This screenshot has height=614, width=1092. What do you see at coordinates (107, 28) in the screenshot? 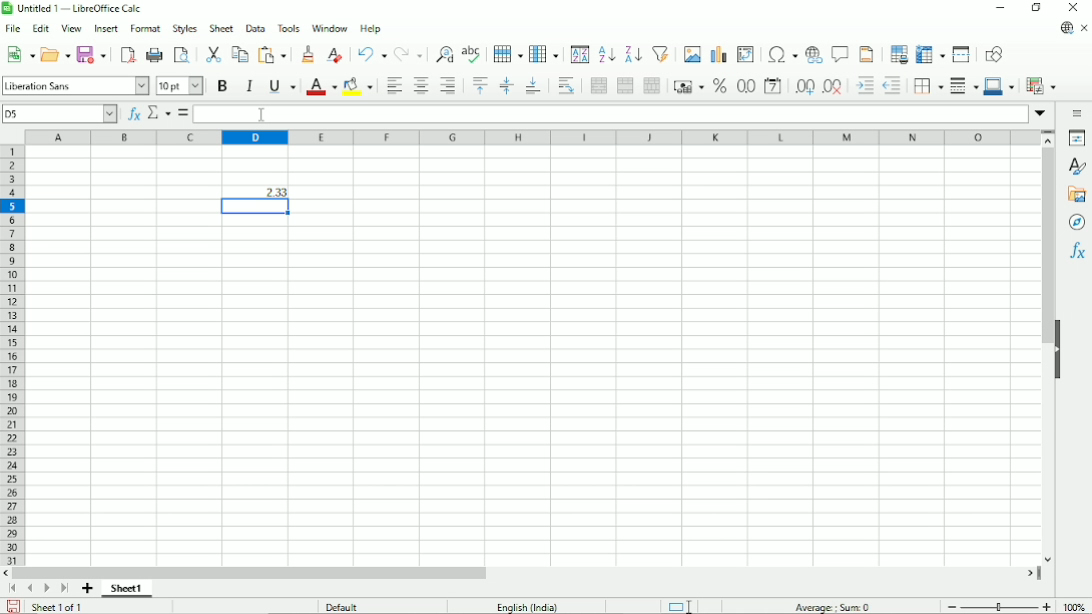
I see `Insert` at bounding box center [107, 28].